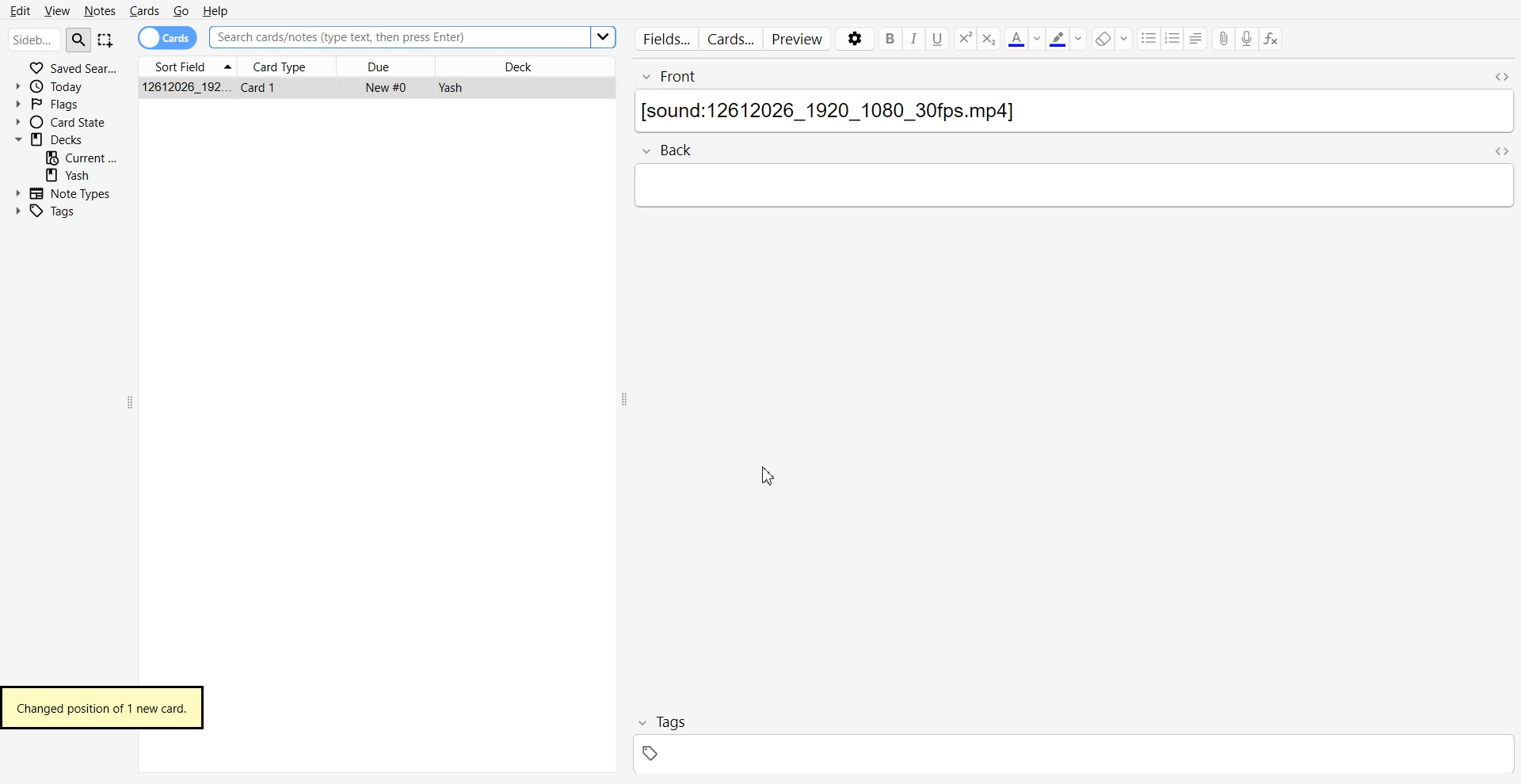 This screenshot has width=1521, height=784. I want to click on Text, so click(1073, 111).